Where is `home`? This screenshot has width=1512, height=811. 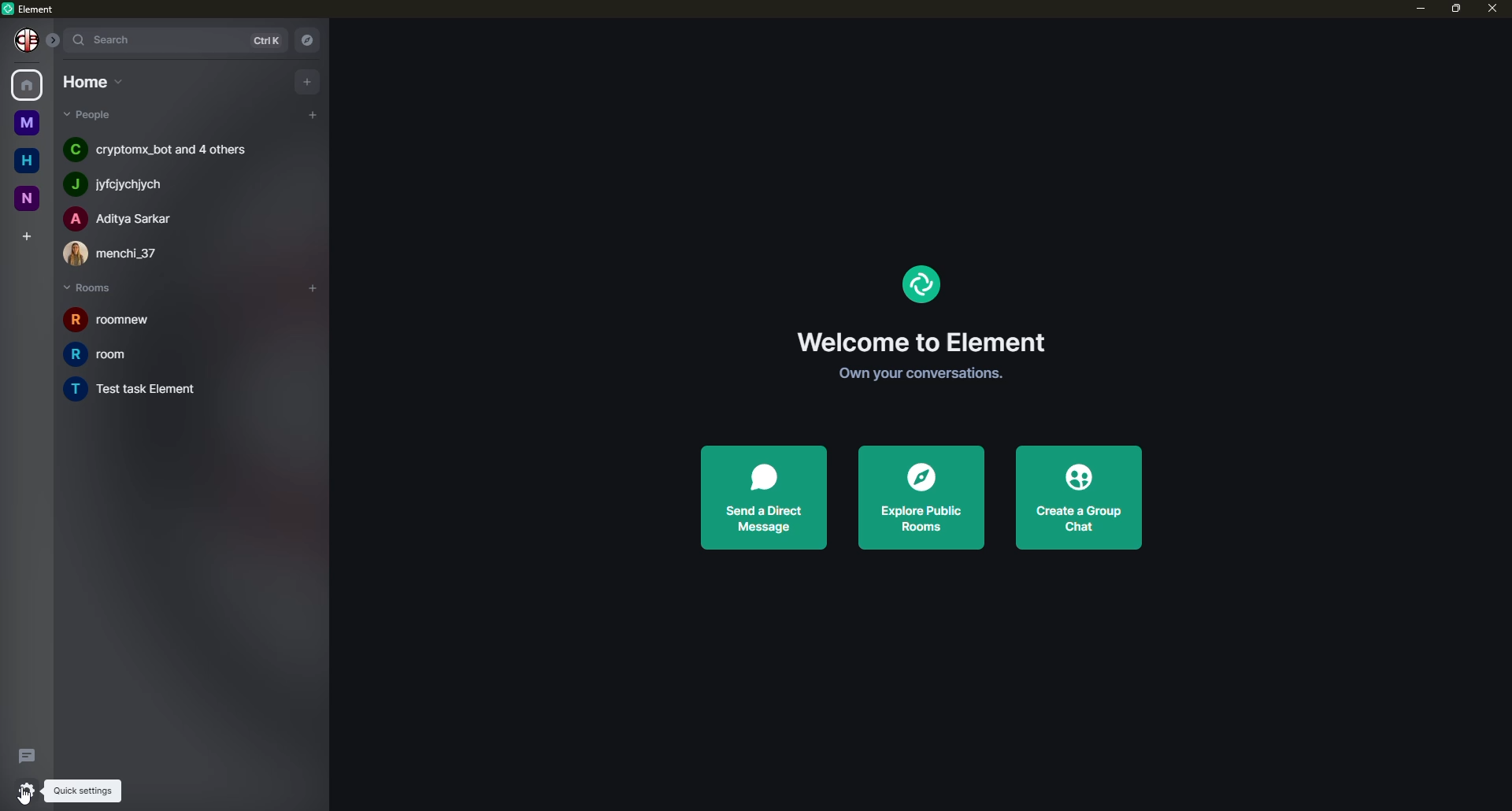
home is located at coordinates (22, 158).